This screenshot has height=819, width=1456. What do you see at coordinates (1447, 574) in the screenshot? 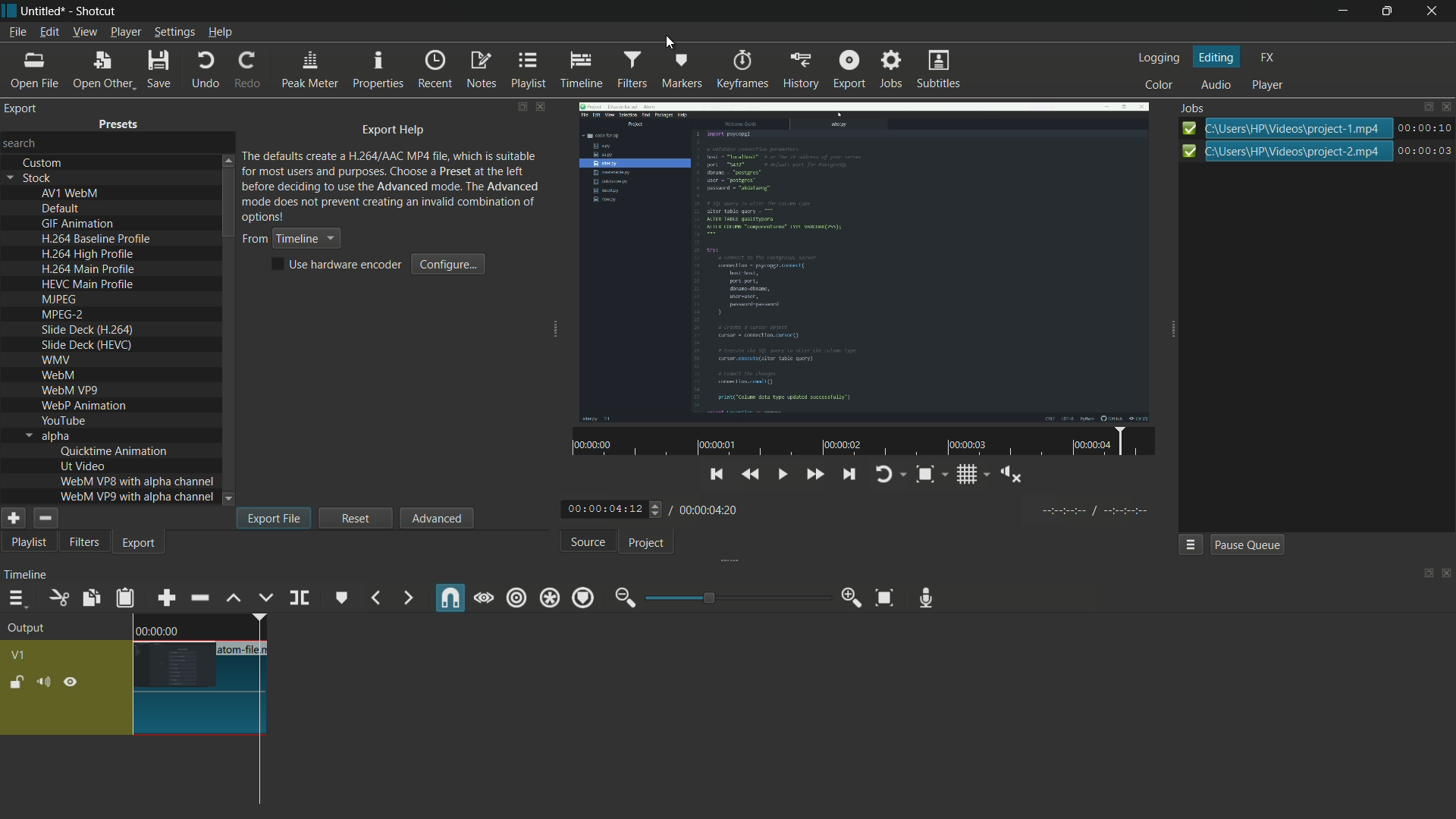
I see `close timeline` at bounding box center [1447, 574].